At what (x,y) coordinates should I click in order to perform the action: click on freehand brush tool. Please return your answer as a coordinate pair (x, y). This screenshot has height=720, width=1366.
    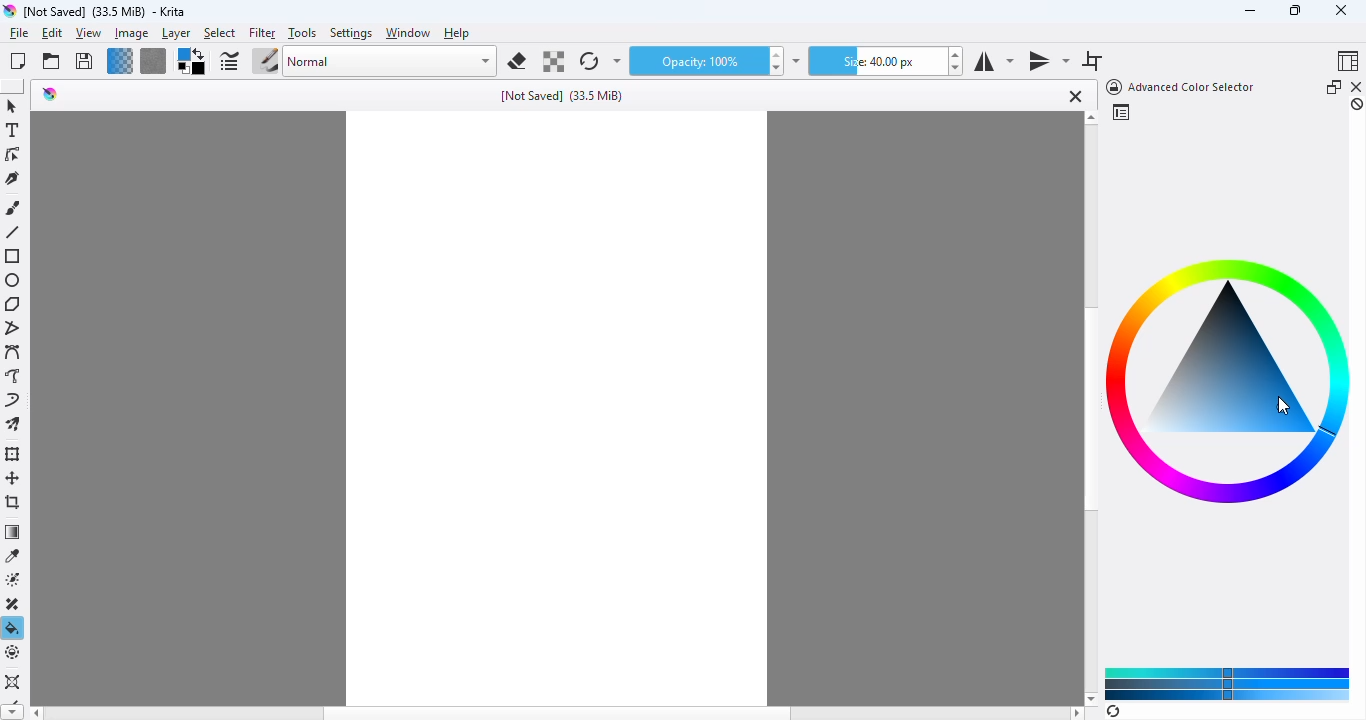
    Looking at the image, I should click on (14, 208).